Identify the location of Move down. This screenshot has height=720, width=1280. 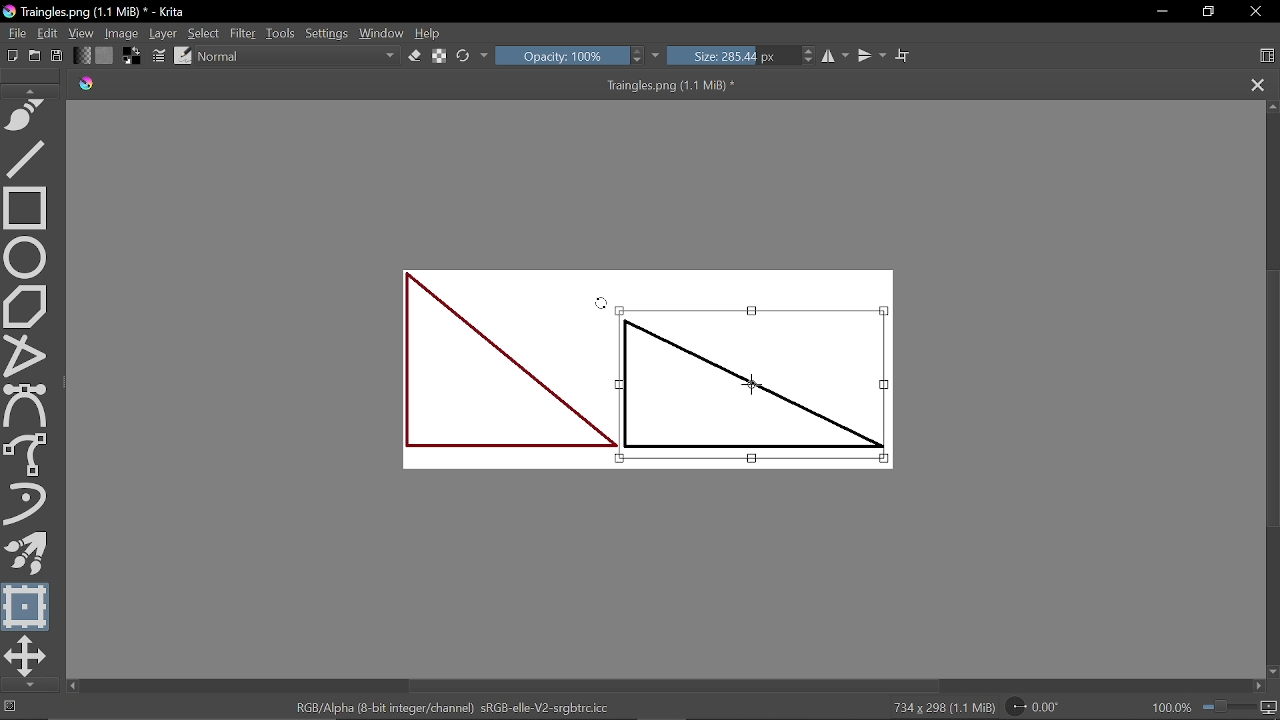
(1272, 672).